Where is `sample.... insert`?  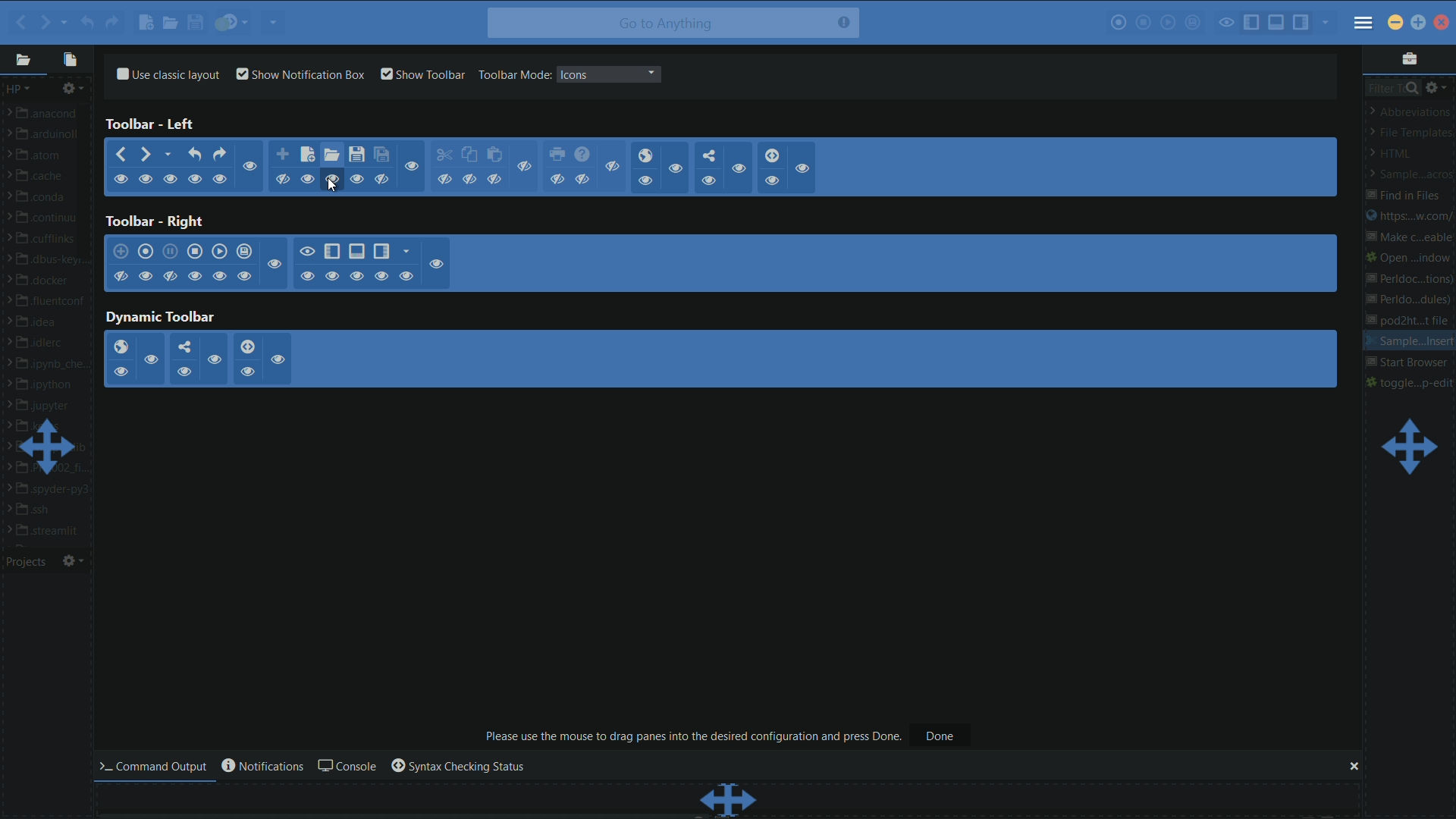 sample.... insert is located at coordinates (1409, 342).